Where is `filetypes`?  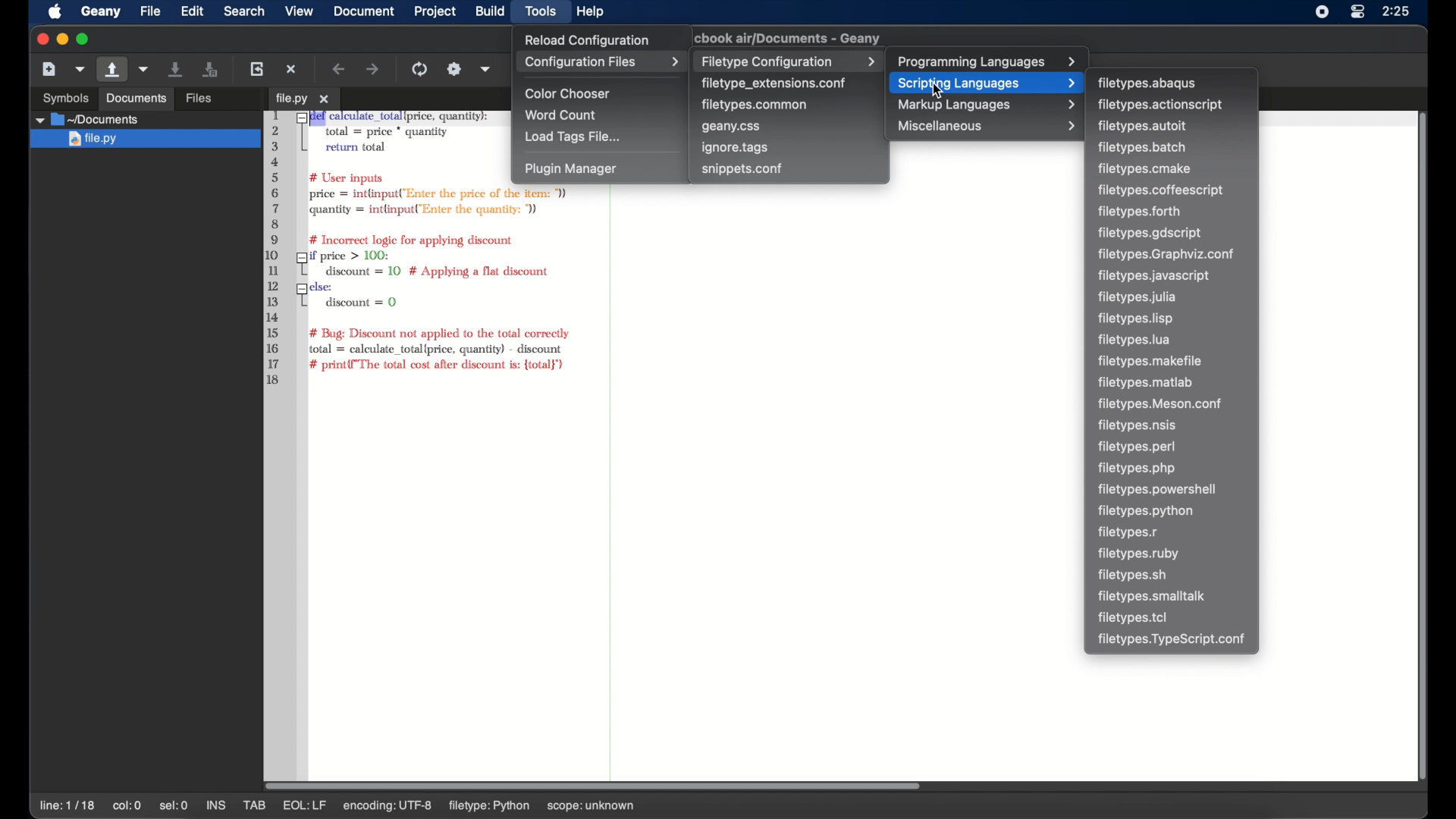 filetypes is located at coordinates (1154, 596).